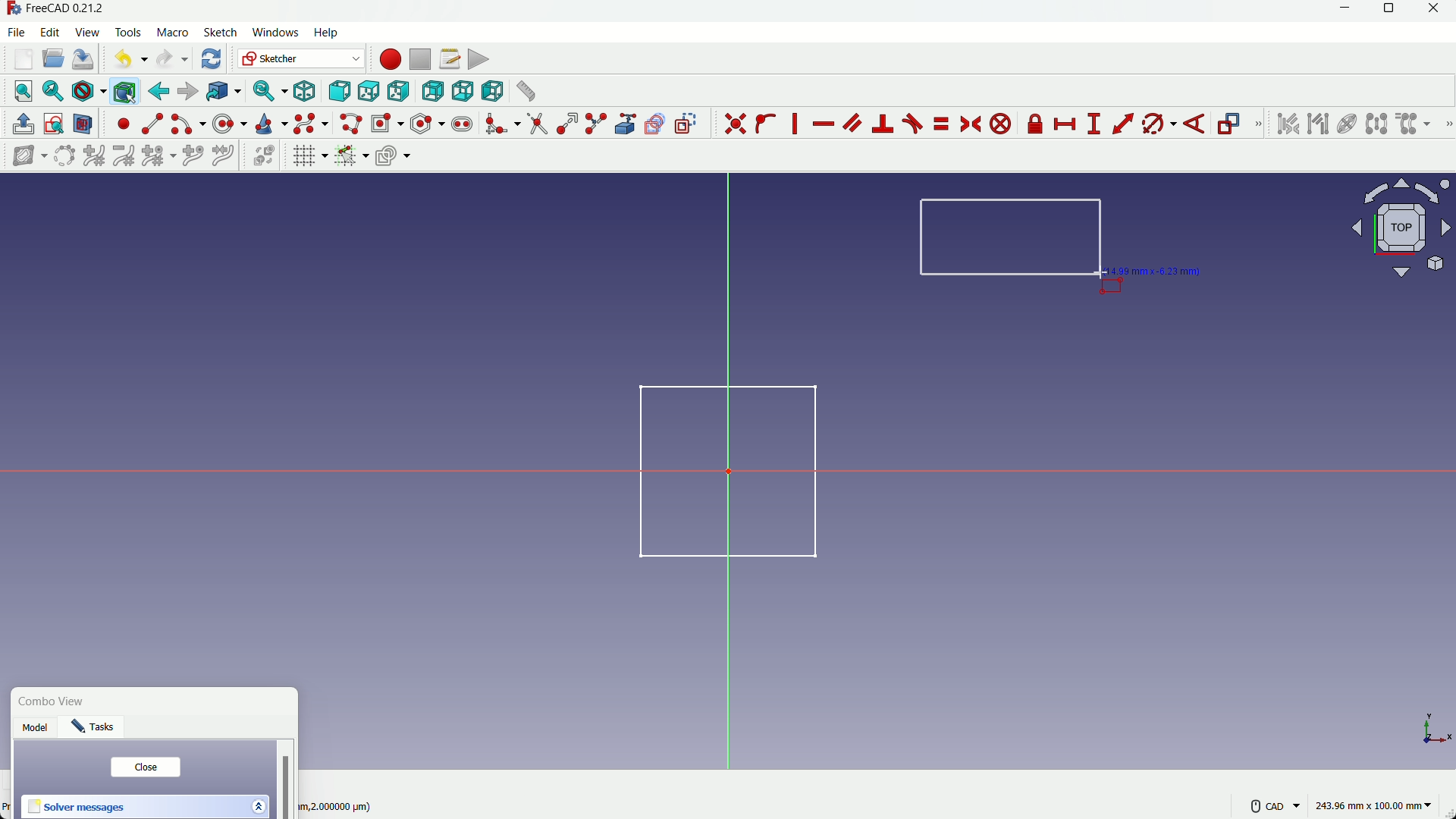 The image size is (1456, 819). What do you see at coordinates (1100, 274) in the screenshot?
I see `cursor` at bounding box center [1100, 274].